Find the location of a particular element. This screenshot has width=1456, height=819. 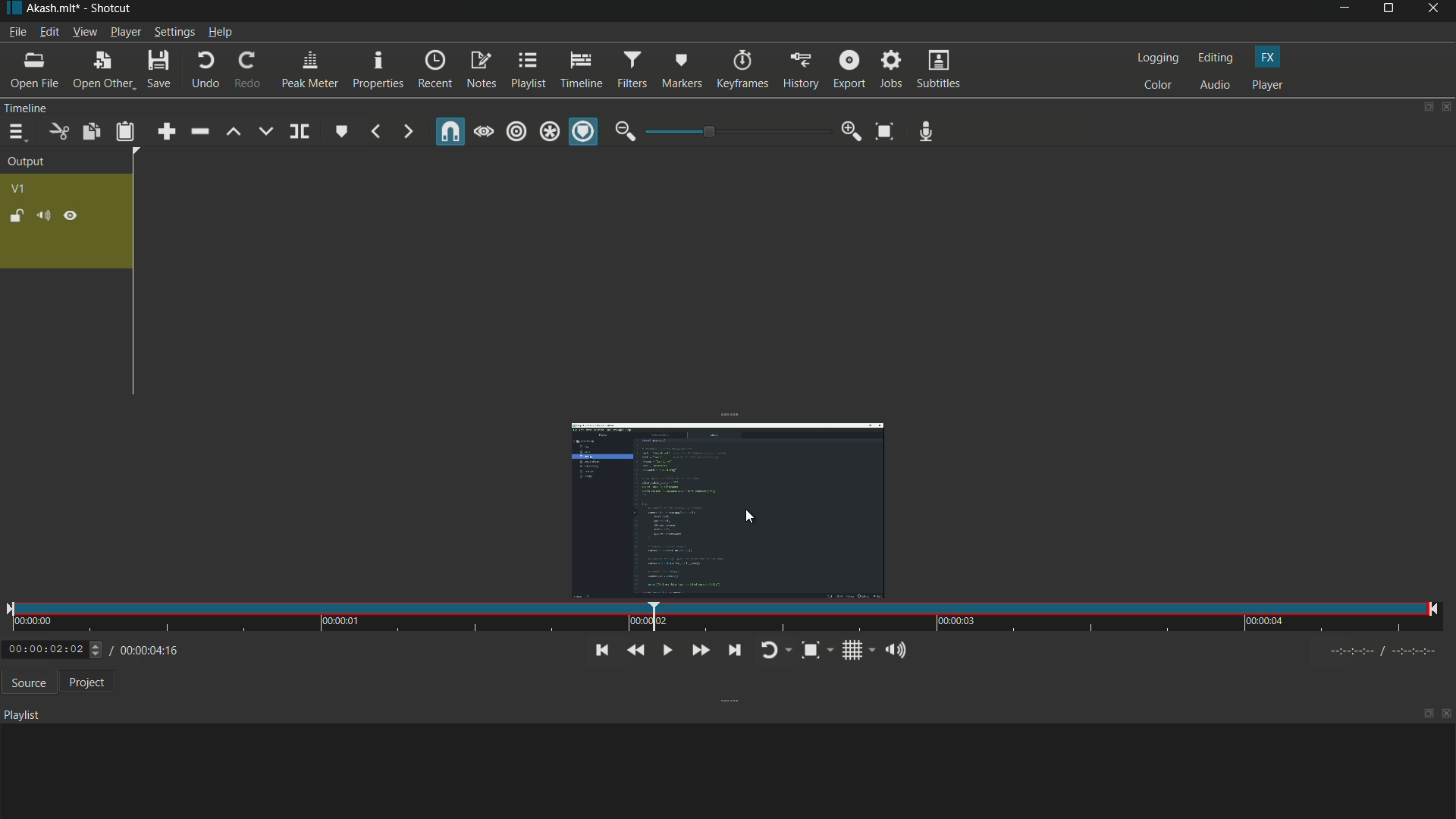

show volume control is located at coordinates (899, 649).